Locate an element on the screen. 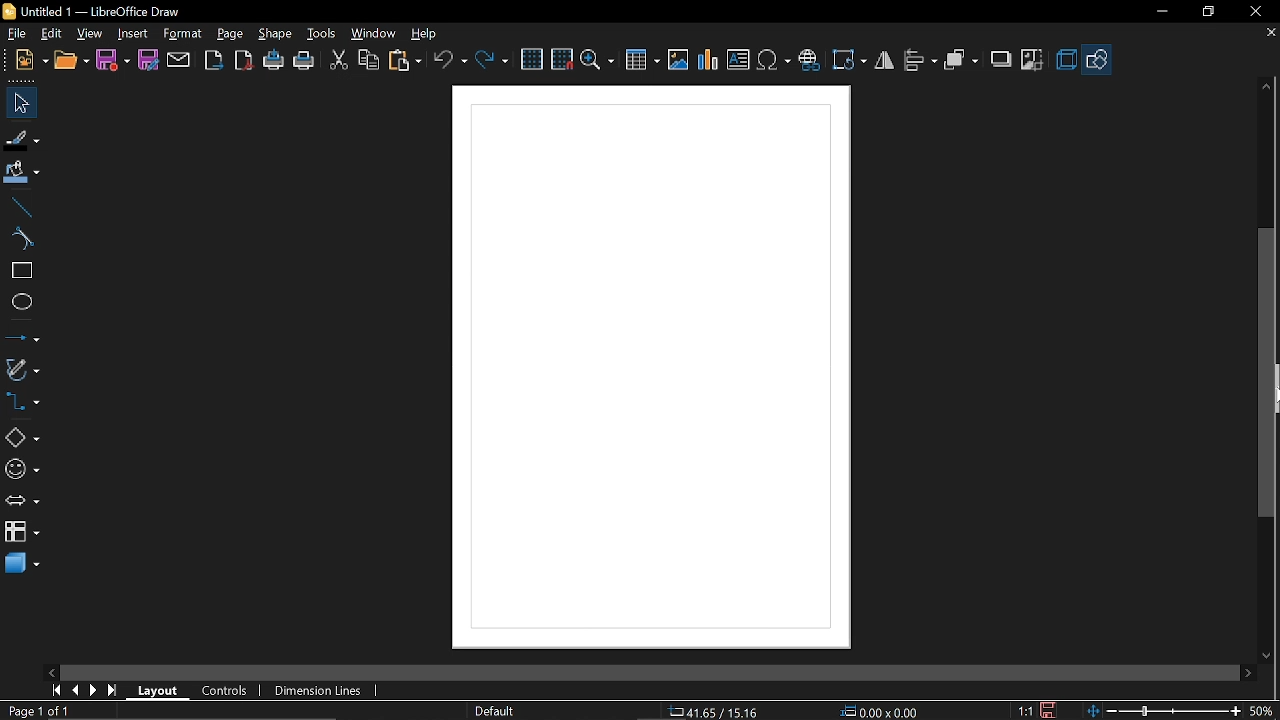  Insert table is located at coordinates (641, 62).